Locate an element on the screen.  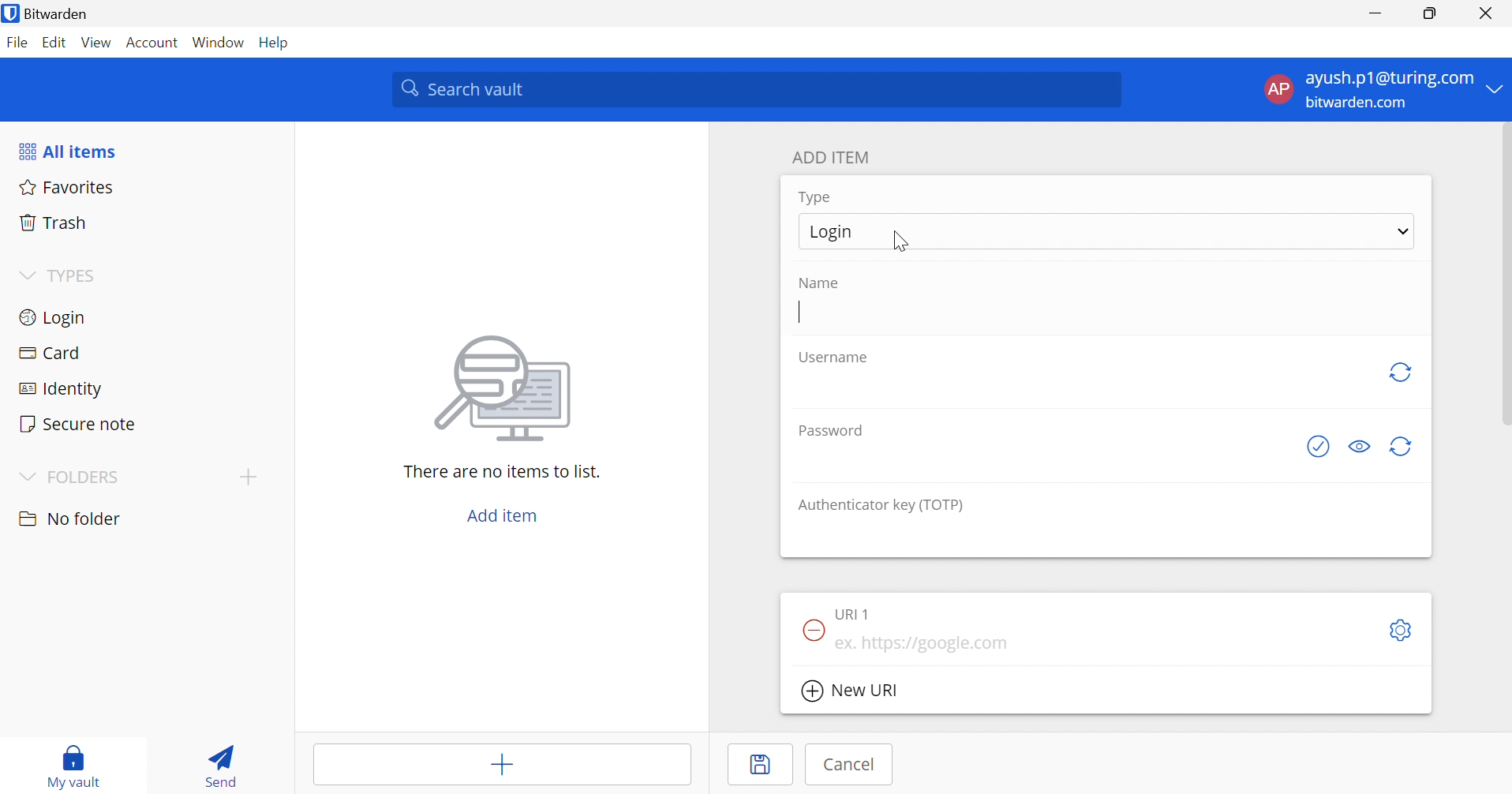
Remove is located at coordinates (810, 630).